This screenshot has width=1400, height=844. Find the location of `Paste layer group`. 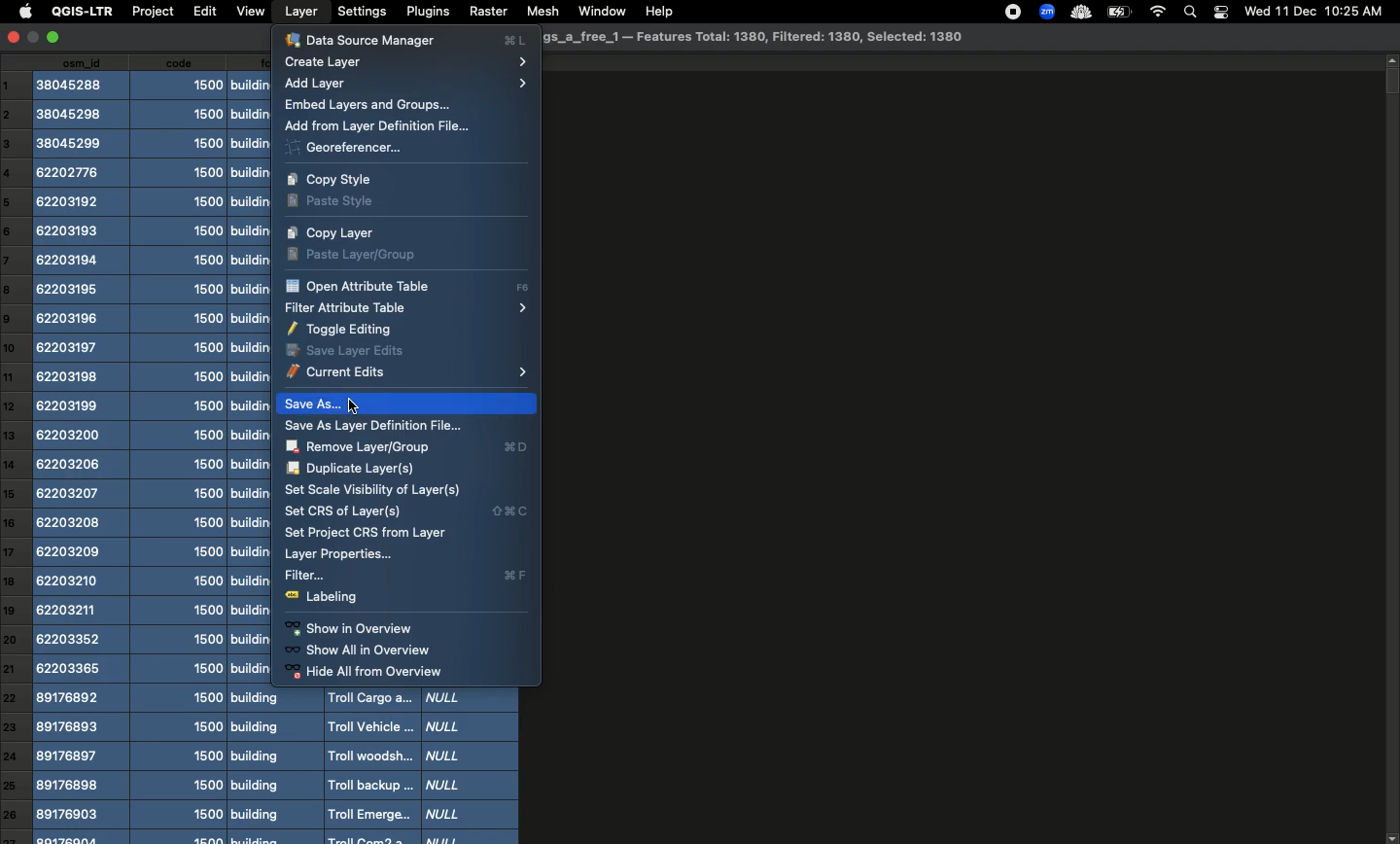

Paste layer group is located at coordinates (360, 254).